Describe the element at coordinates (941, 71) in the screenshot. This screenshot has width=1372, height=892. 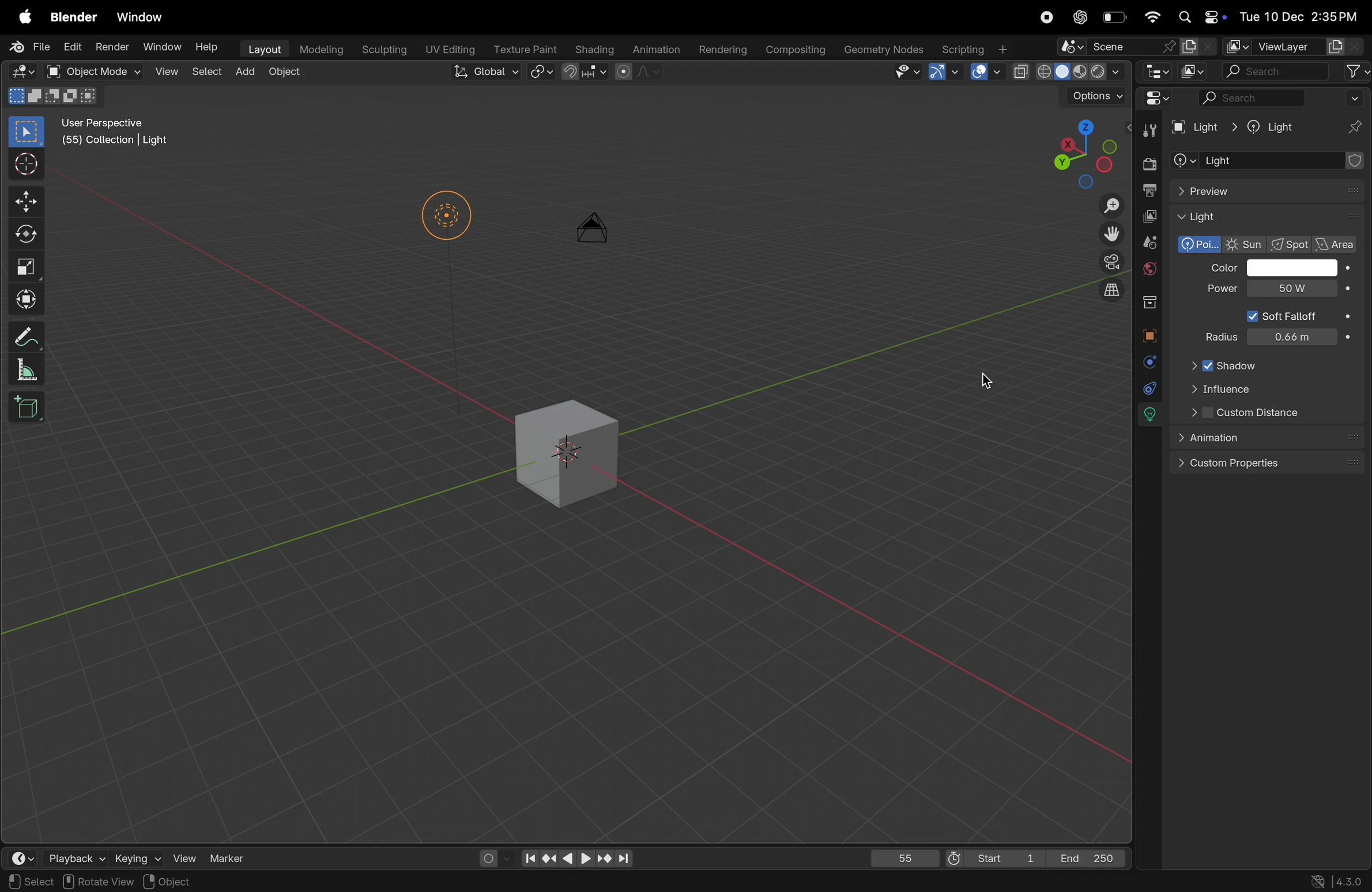
I see `Show gimzo` at that location.